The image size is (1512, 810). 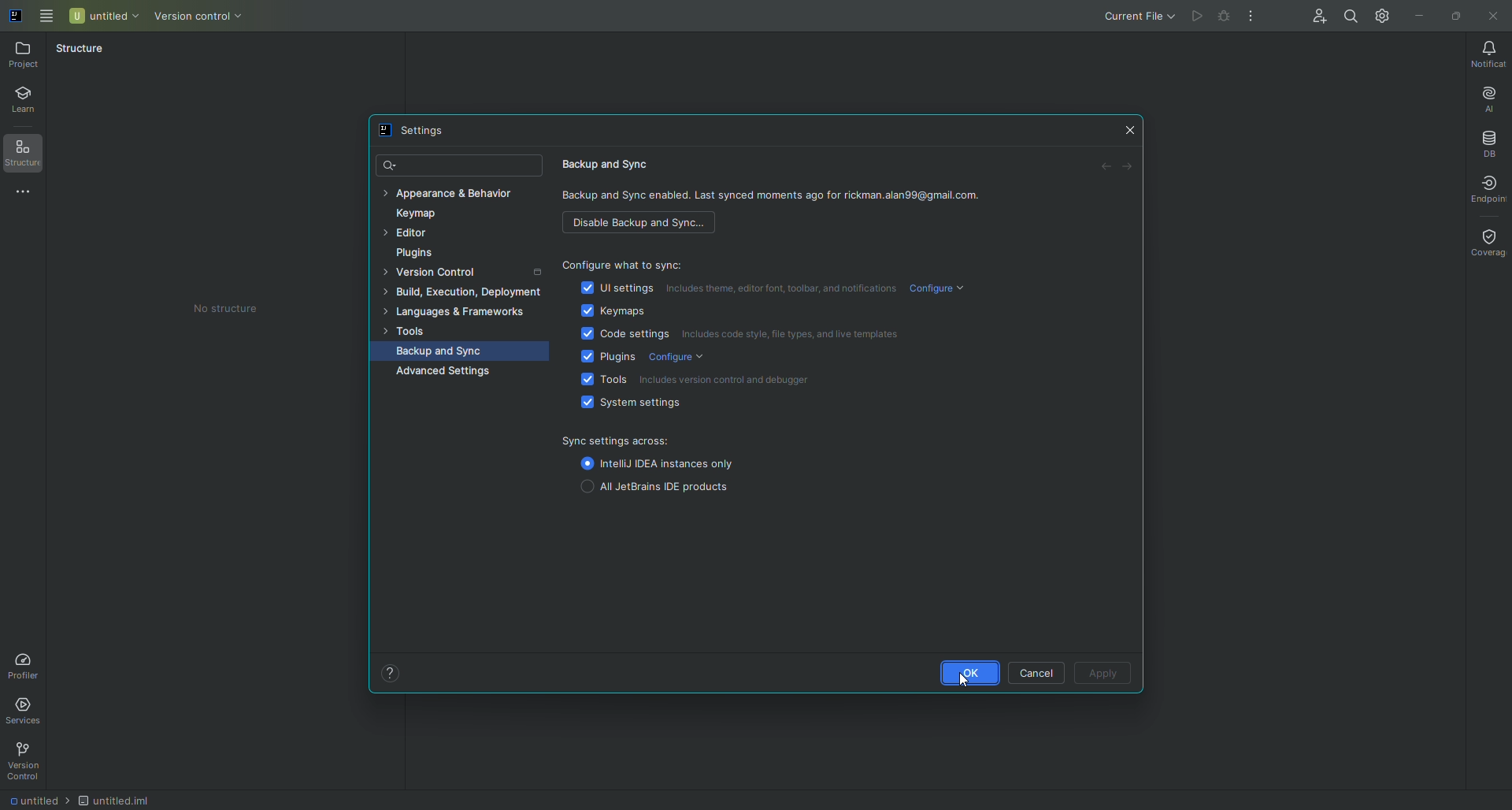 What do you see at coordinates (1129, 131) in the screenshot?
I see `Close` at bounding box center [1129, 131].